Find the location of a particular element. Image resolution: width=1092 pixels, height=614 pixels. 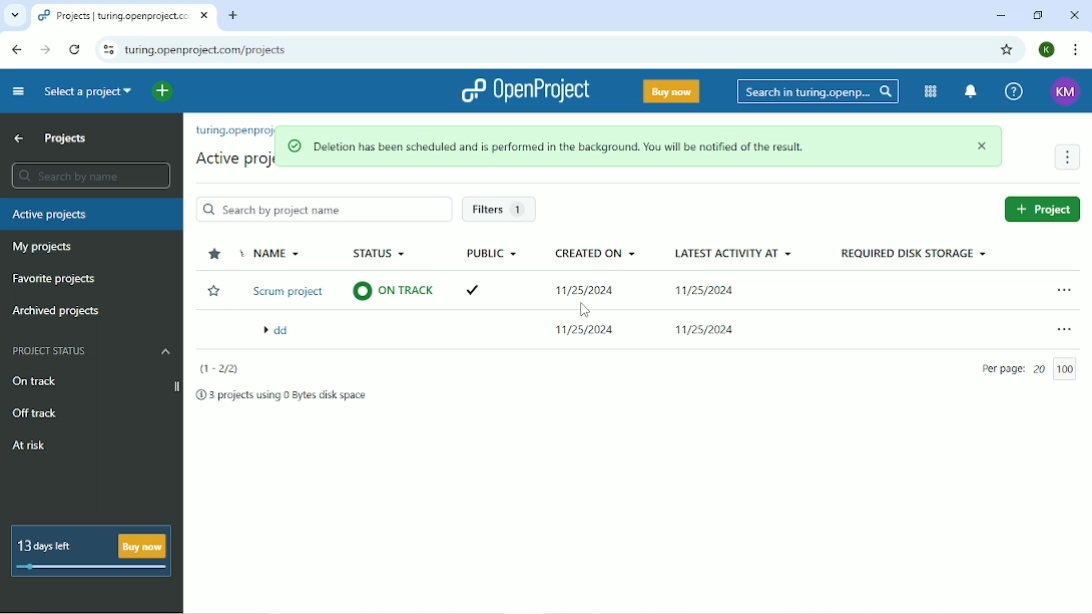

Forward is located at coordinates (43, 50).